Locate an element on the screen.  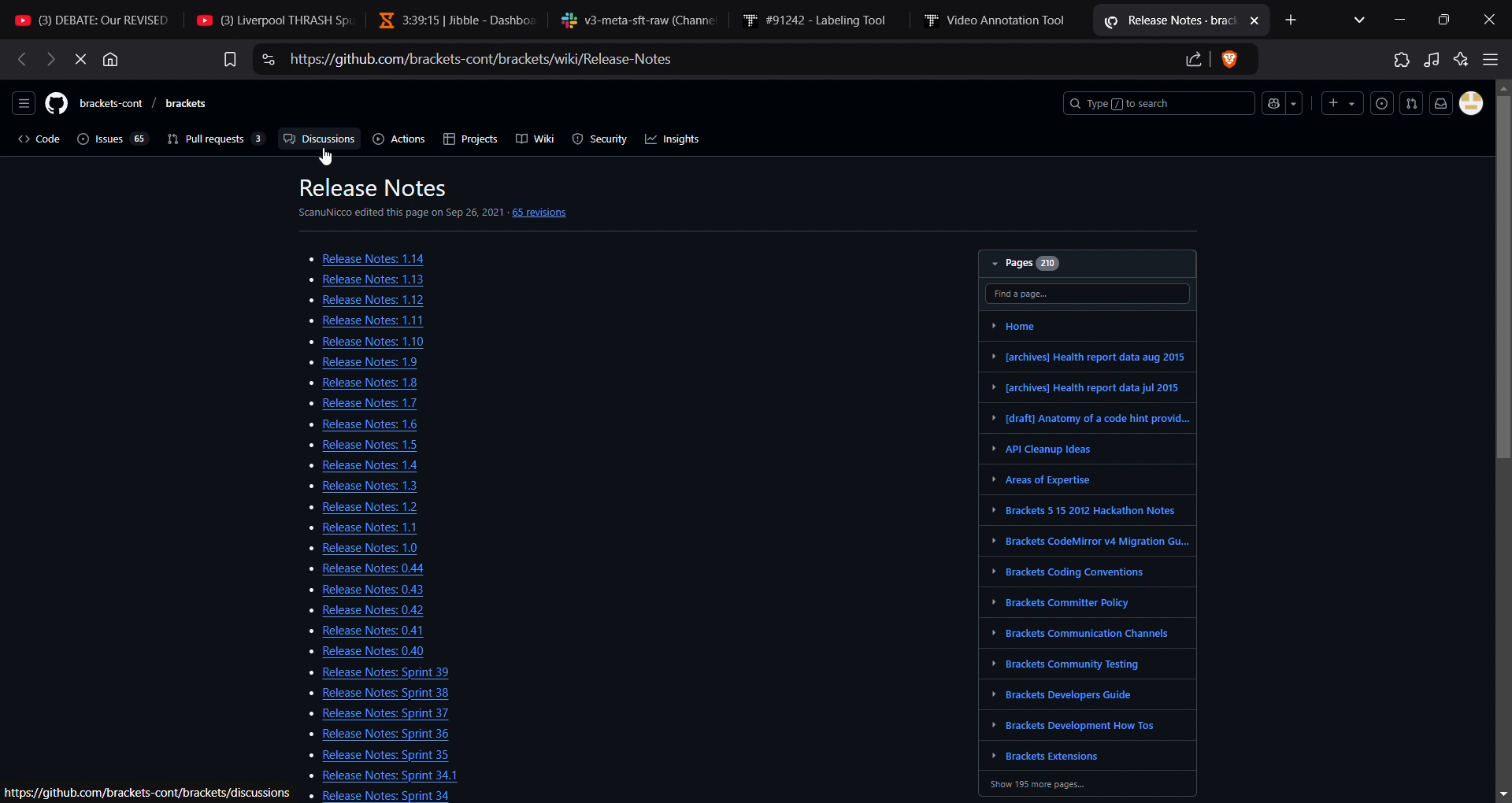
o Release Notes: 1.9 is located at coordinates (339, 363).